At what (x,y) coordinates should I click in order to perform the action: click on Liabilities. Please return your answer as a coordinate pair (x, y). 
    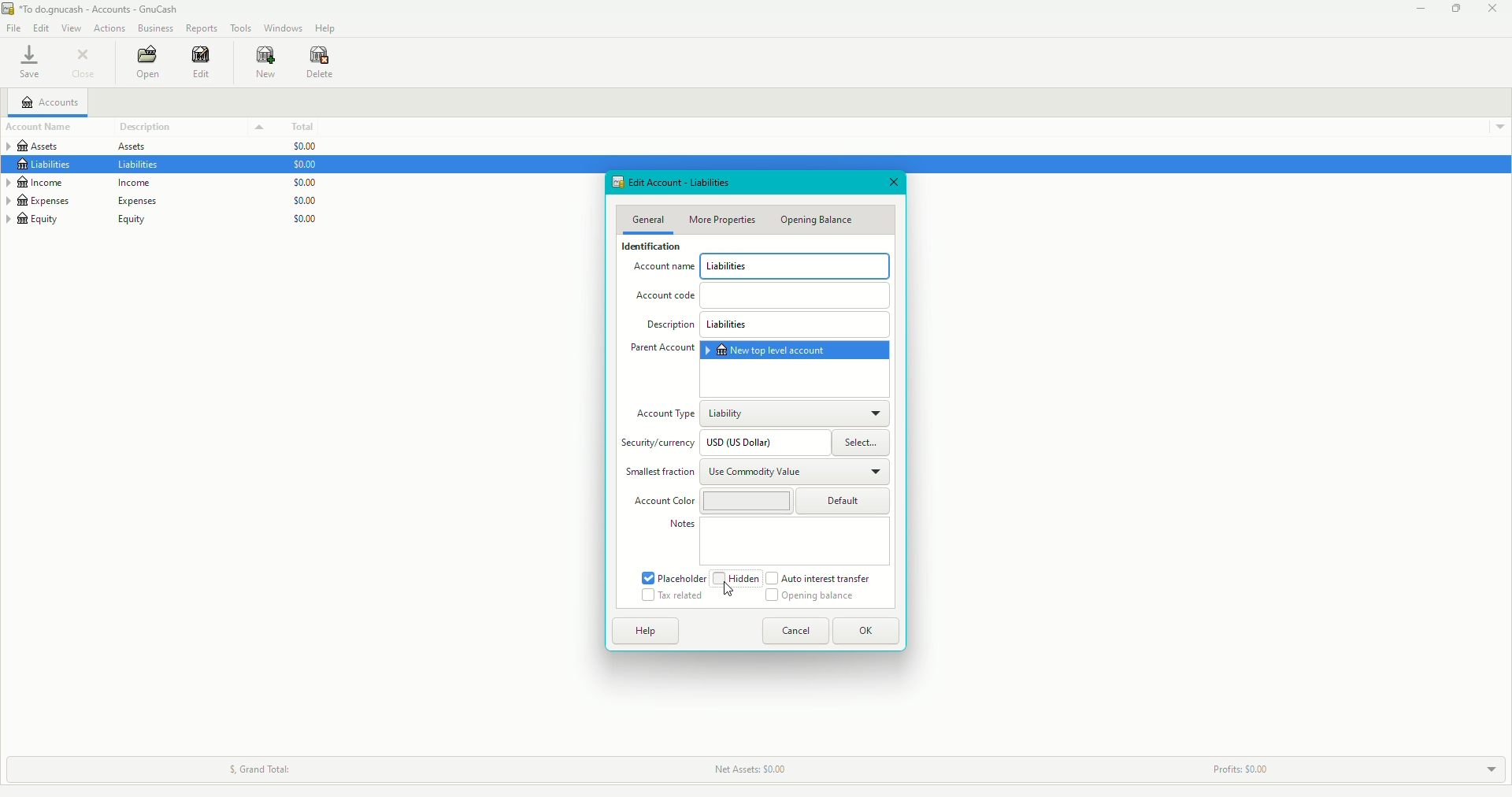
    Looking at the image, I should click on (795, 266).